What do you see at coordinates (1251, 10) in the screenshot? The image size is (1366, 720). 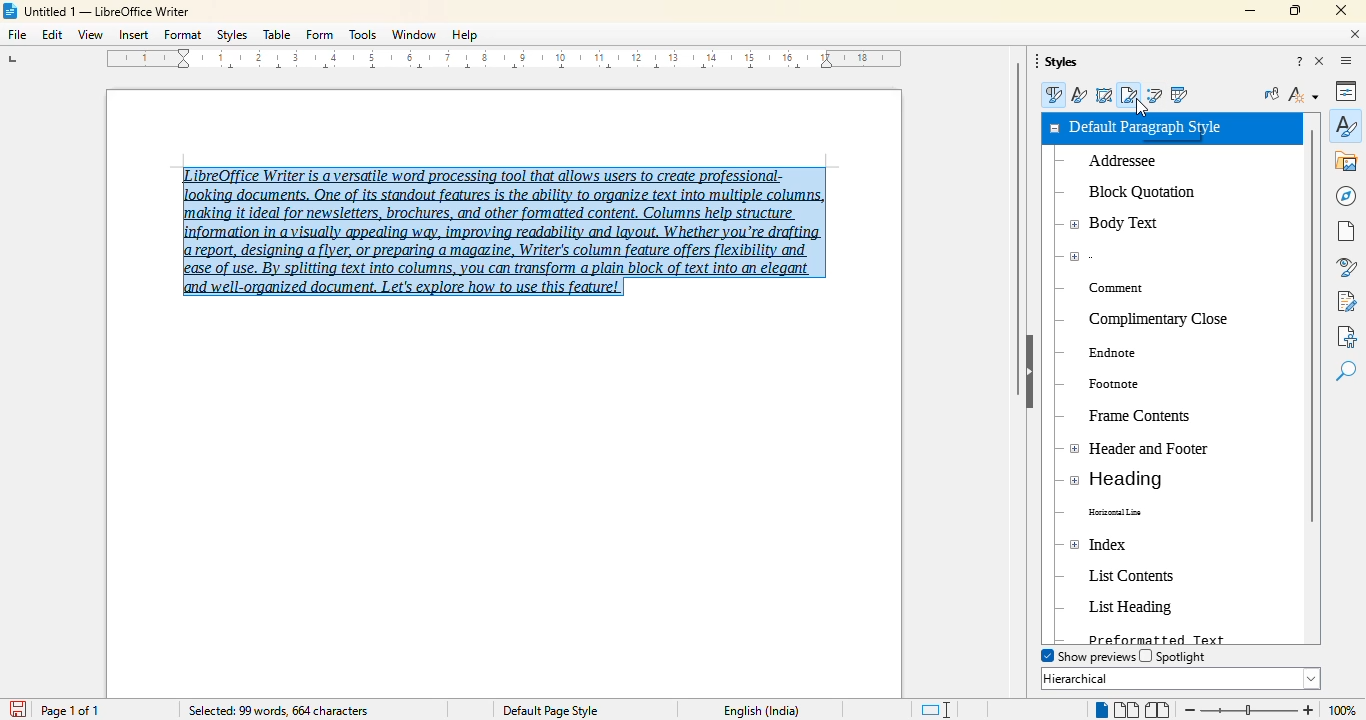 I see `minimize` at bounding box center [1251, 10].